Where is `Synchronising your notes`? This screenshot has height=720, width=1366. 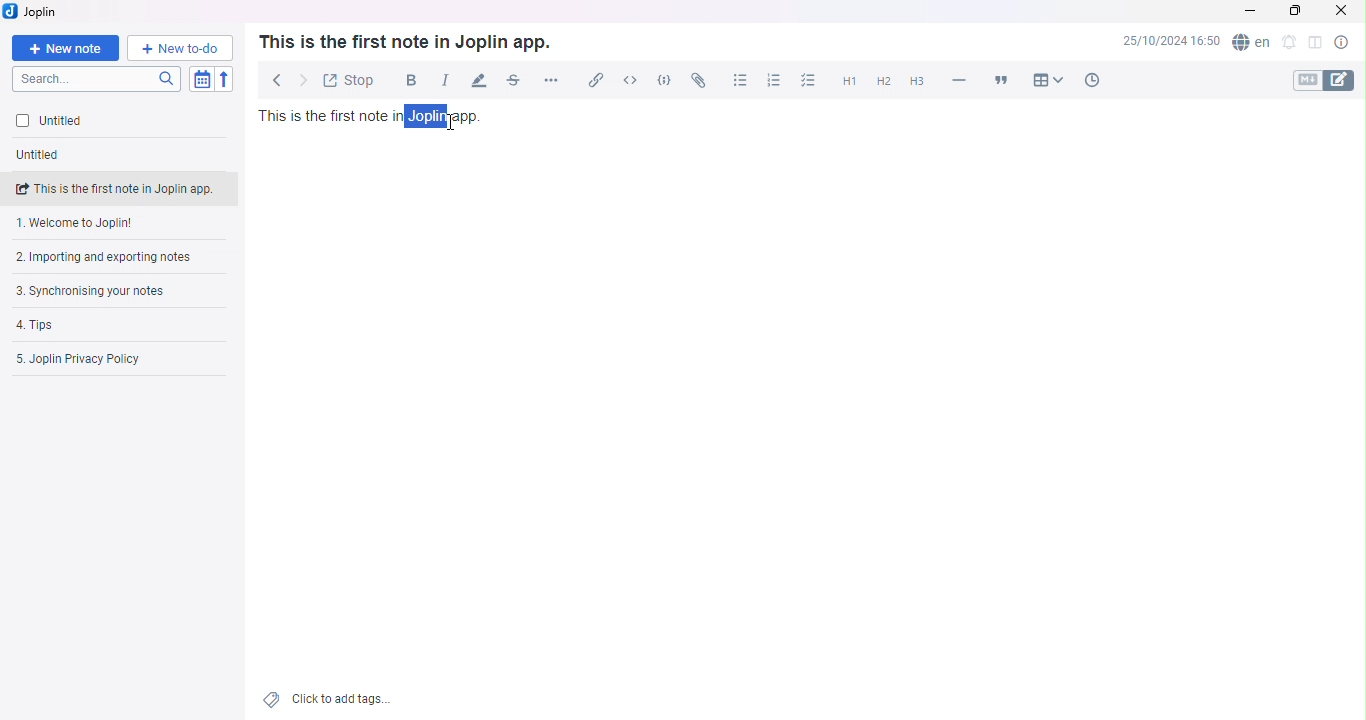
Synchronising your notes is located at coordinates (103, 290).